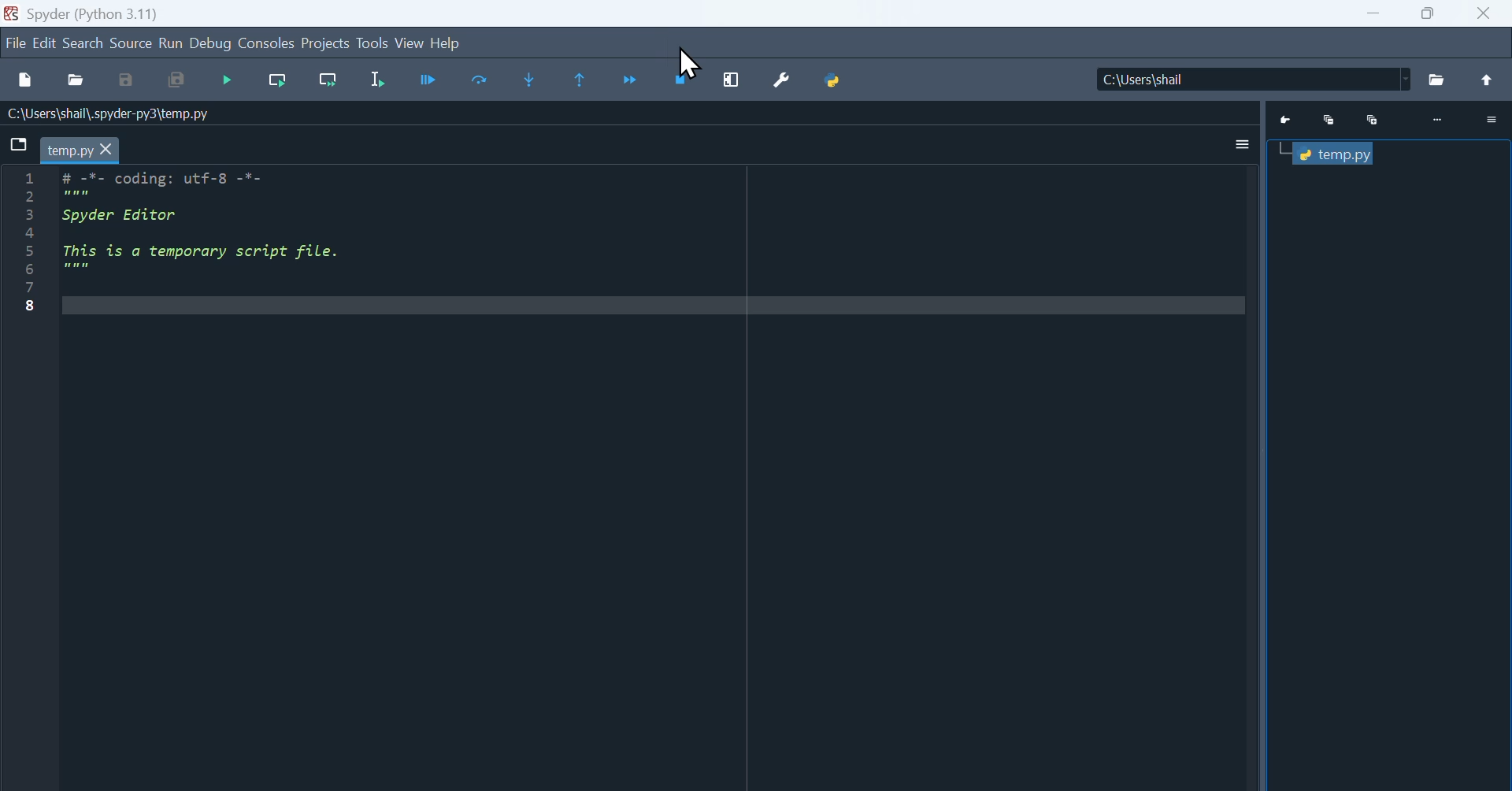 This screenshot has height=791, width=1512. Describe the element at coordinates (278, 81) in the screenshot. I see `Run current cell` at that location.